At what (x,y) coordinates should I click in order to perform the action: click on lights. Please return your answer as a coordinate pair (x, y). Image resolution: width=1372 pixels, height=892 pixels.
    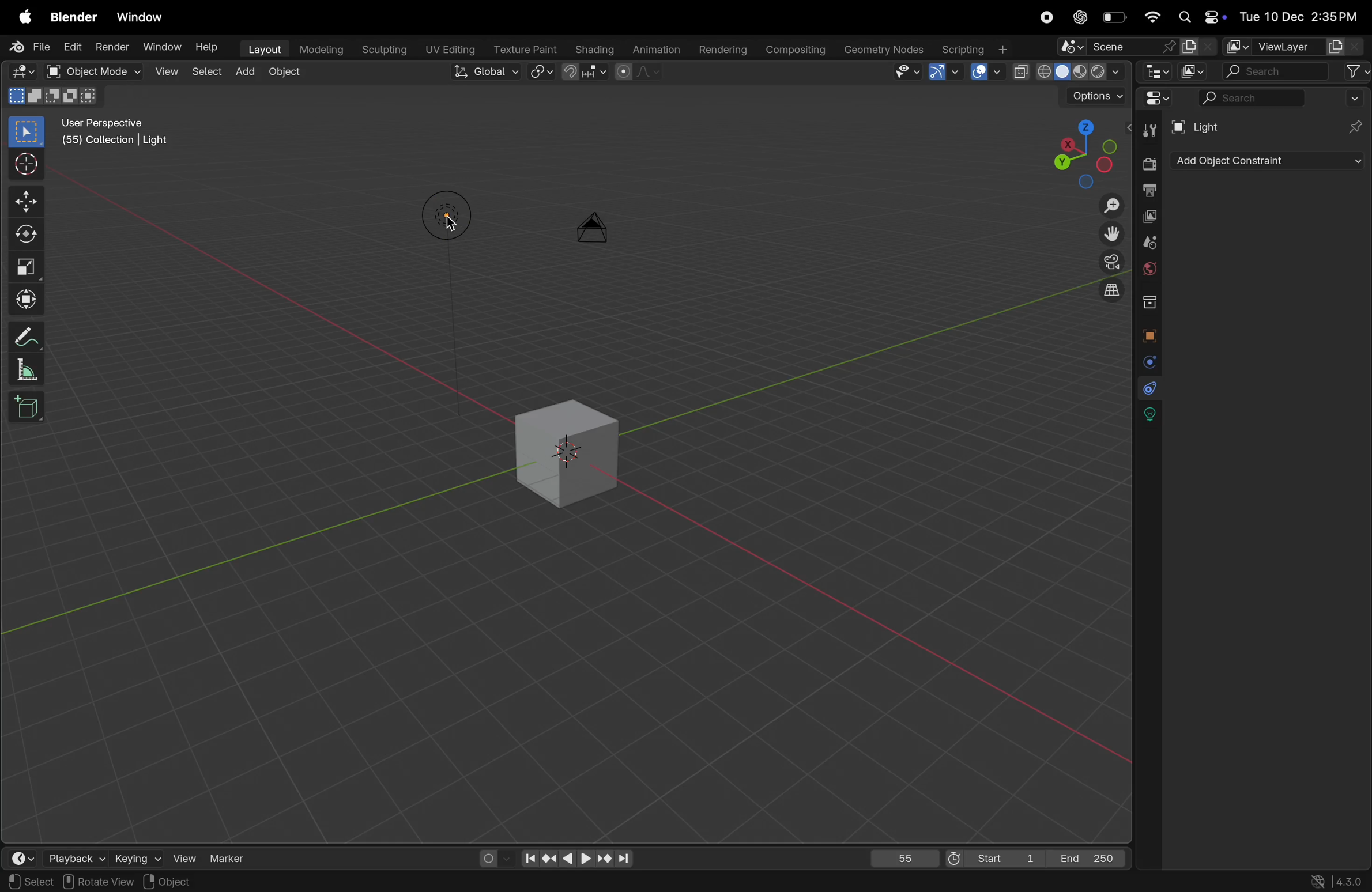
    Looking at the image, I should click on (1148, 415).